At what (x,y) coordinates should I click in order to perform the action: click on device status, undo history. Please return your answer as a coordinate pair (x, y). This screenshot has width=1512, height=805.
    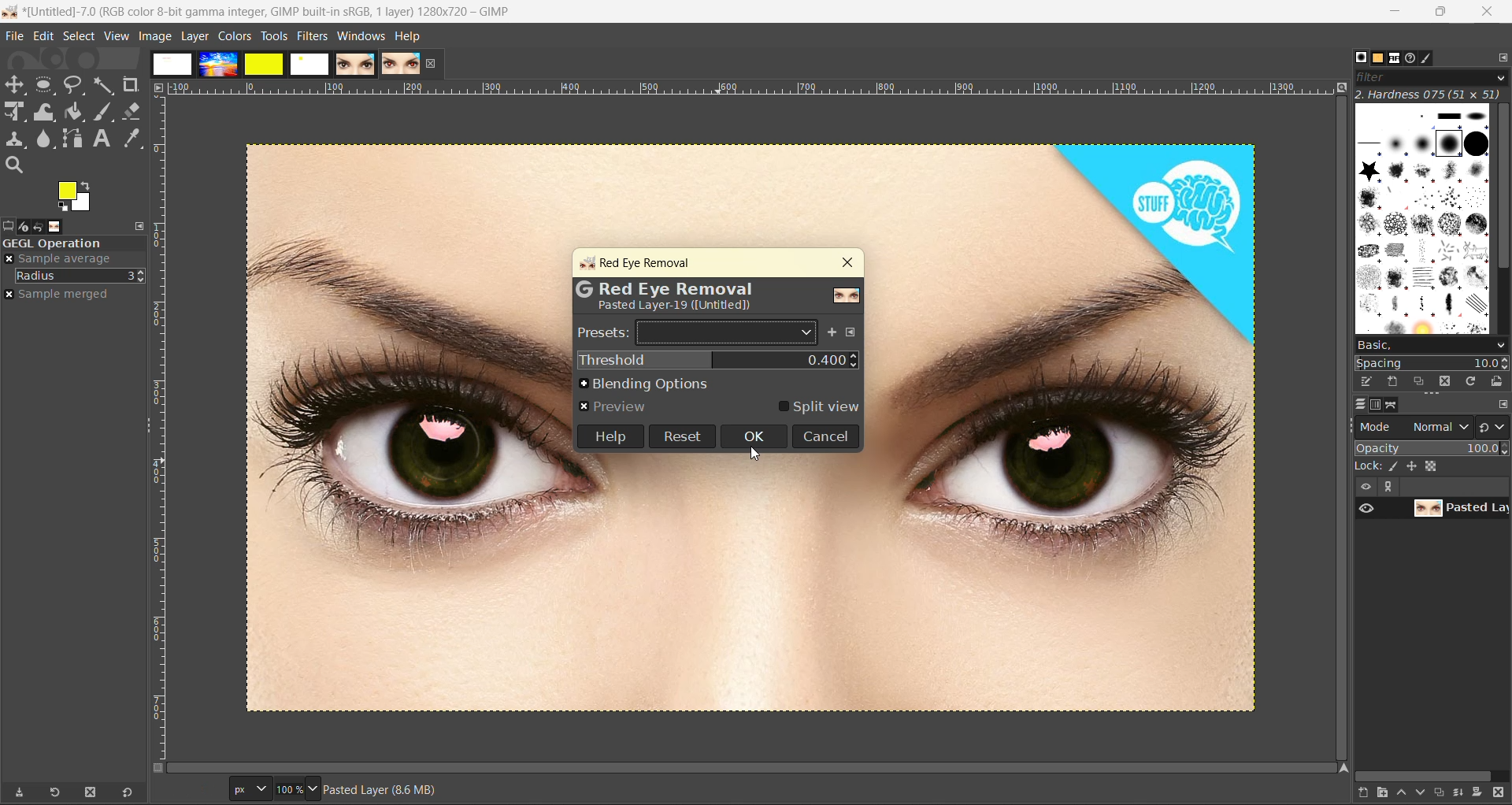
    Looking at the image, I should click on (33, 227).